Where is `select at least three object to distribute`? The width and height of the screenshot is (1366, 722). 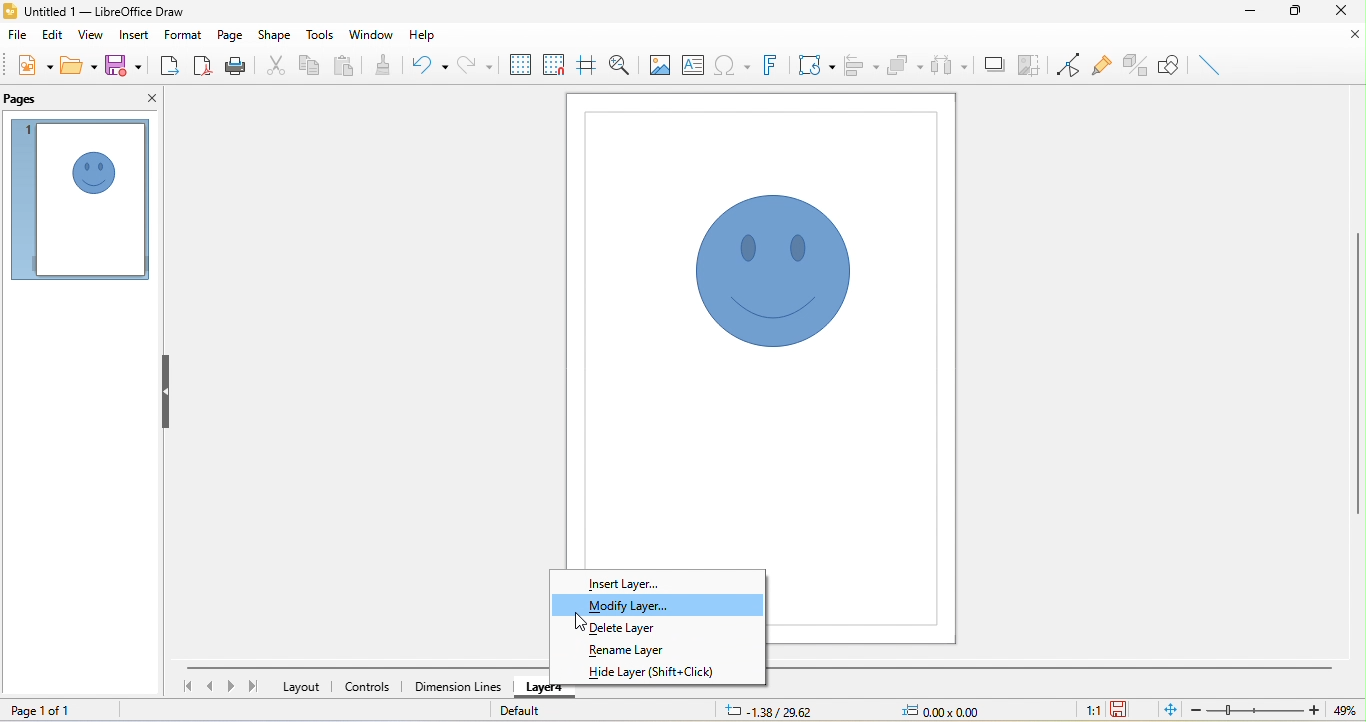 select at least three object to distribute is located at coordinates (949, 67).